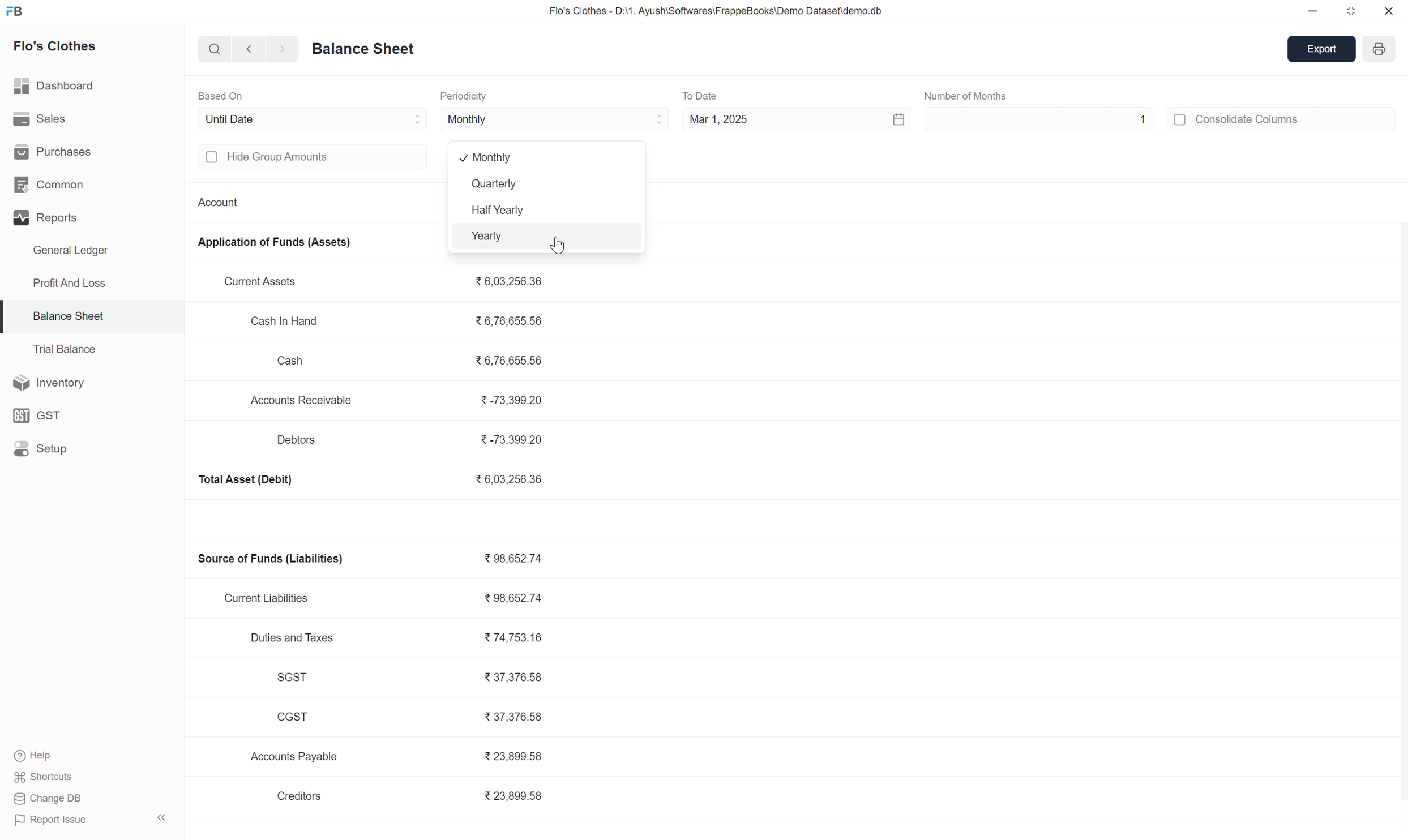 The height and width of the screenshot is (840, 1408). I want to click on Cash, so click(291, 363).